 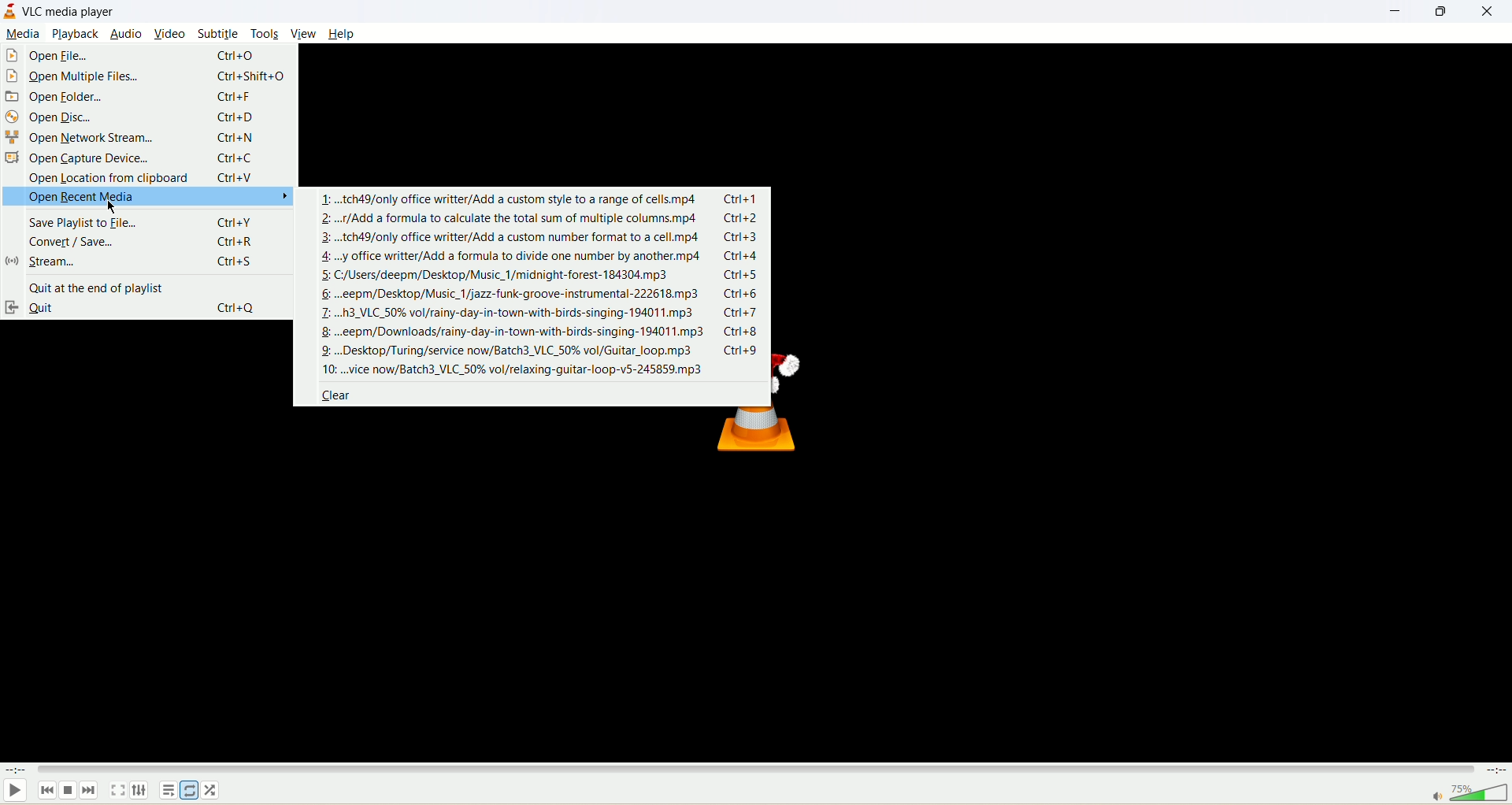 I want to click on 3: ..tch49/only office writter/Add a custom number format to a cell. mp4, so click(x=510, y=239).